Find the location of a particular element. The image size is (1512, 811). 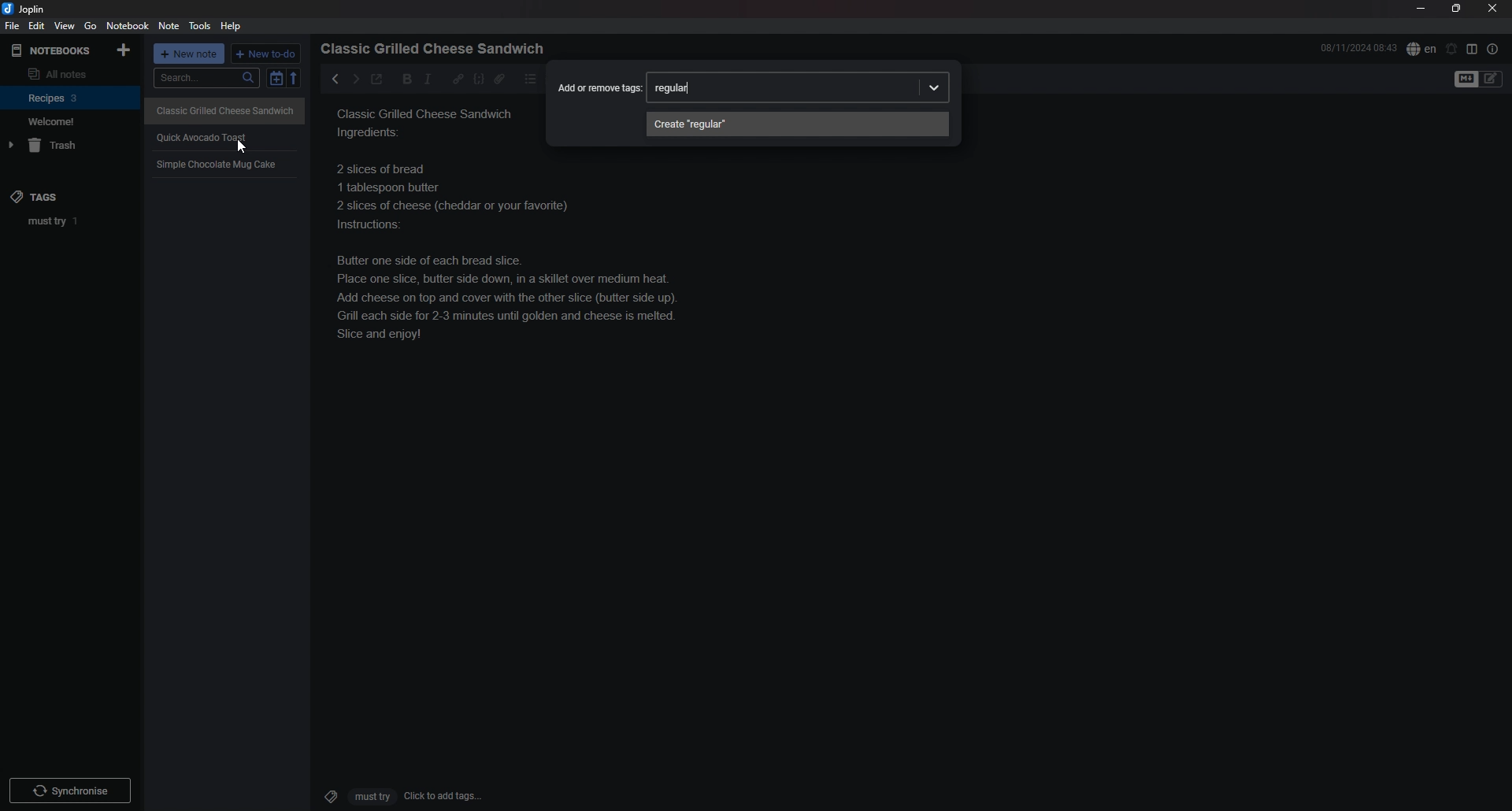

simple chocolate mug cake is located at coordinates (218, 164).